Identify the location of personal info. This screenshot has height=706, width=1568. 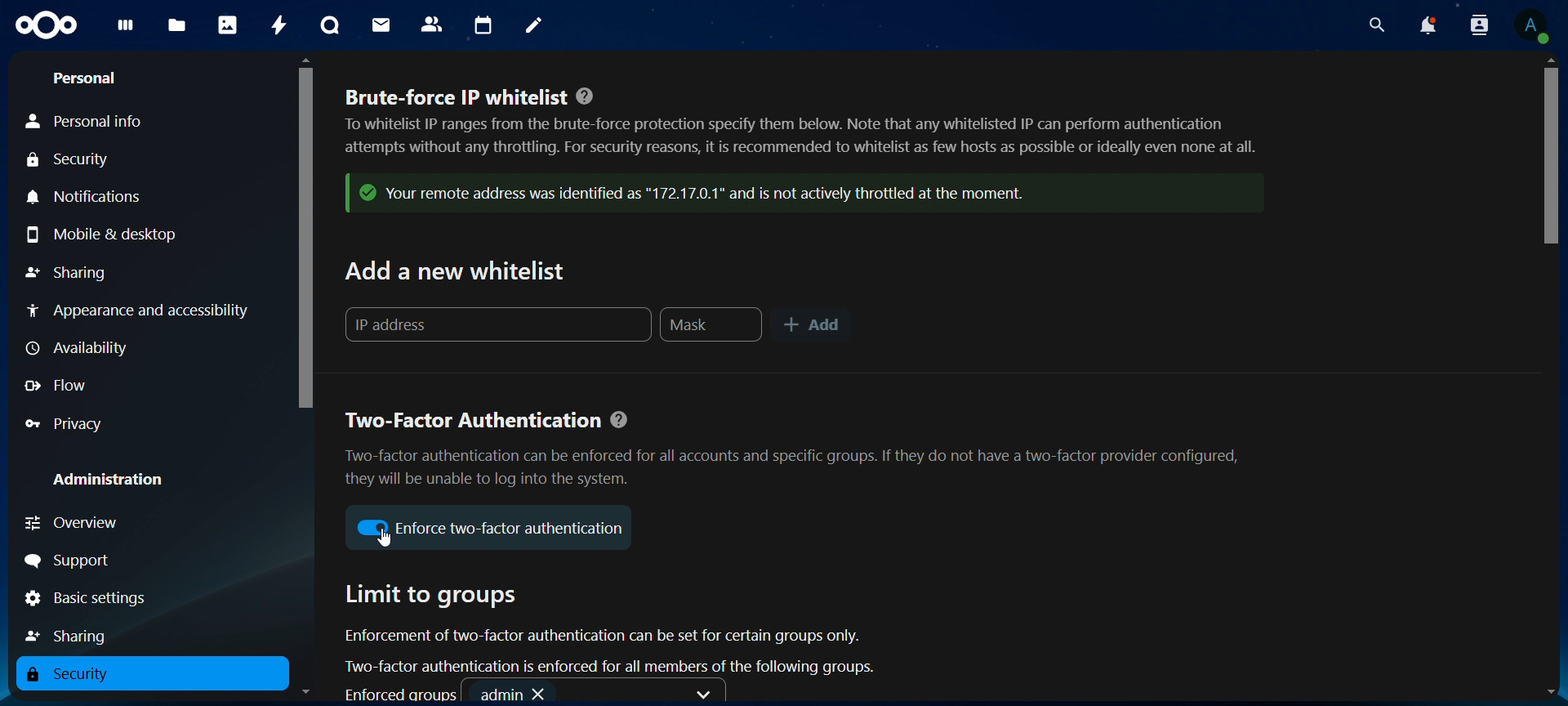
(83, 123).